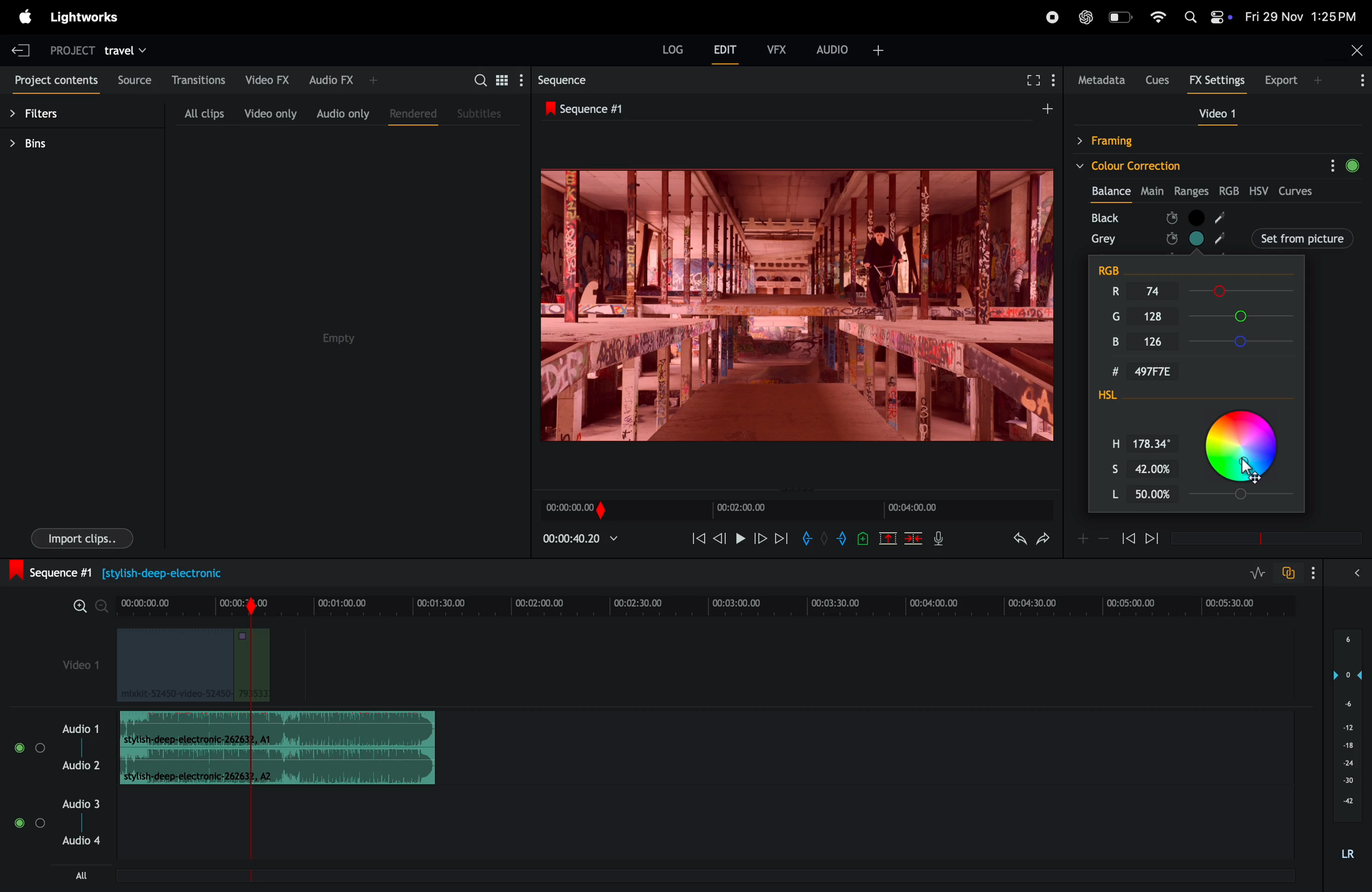 The height and width of the screenshot is (892, 1372). What do you see at coordinates (711, 600) in the screenshot?
I see `time frame` at bounding box center [711, 600].